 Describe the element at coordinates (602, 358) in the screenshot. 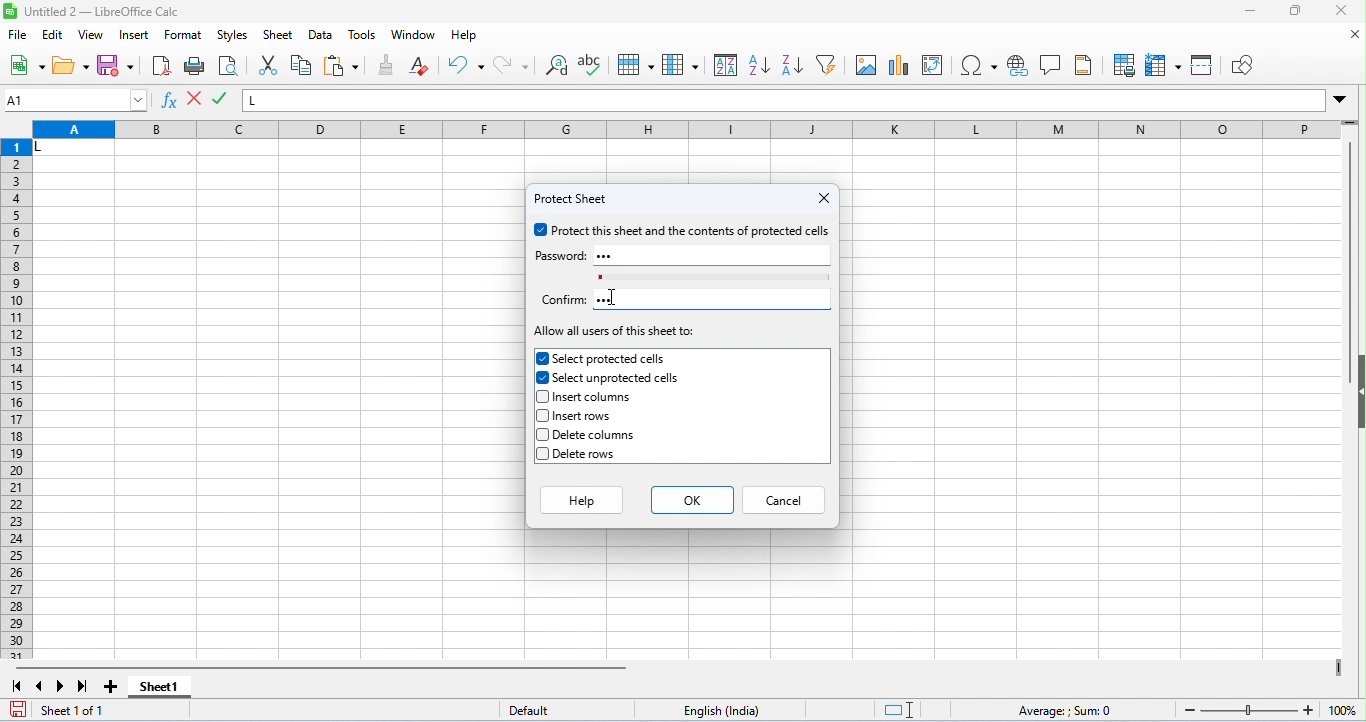

I see `select protected cells` at that location.